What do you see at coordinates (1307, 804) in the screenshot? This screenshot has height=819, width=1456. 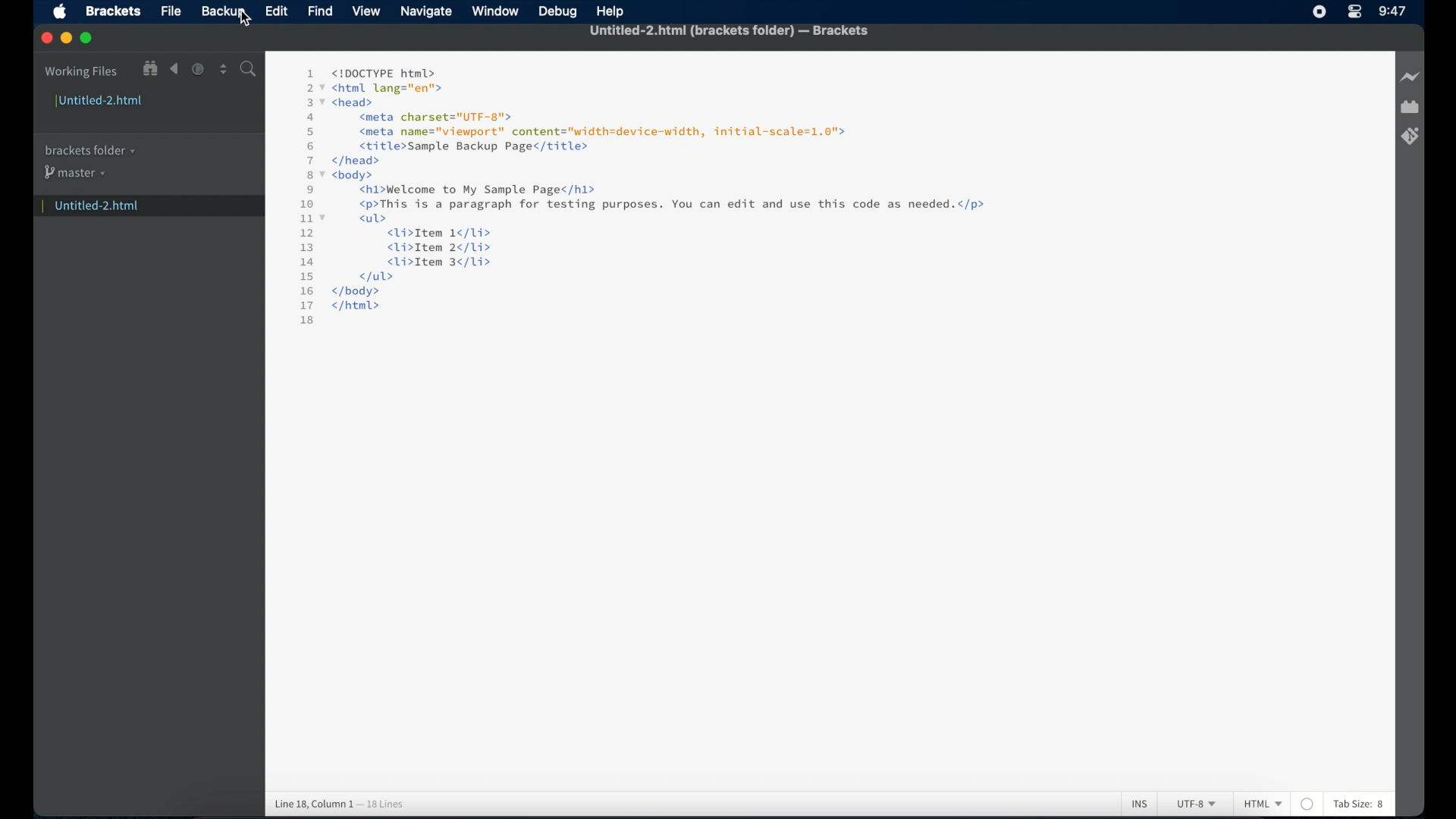 I see `no linter available for HTML` at bounding box center [1307, 804].